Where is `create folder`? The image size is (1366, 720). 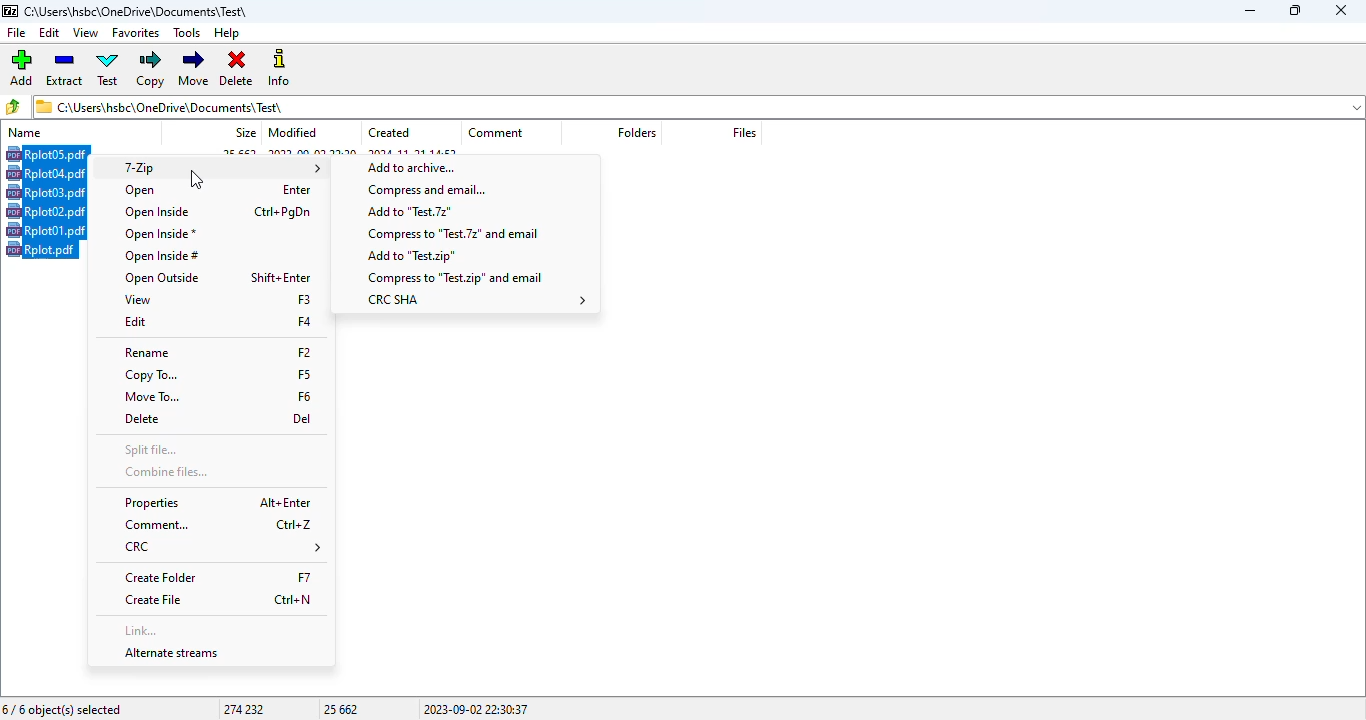
create folder is located at coordinates (220, 578).